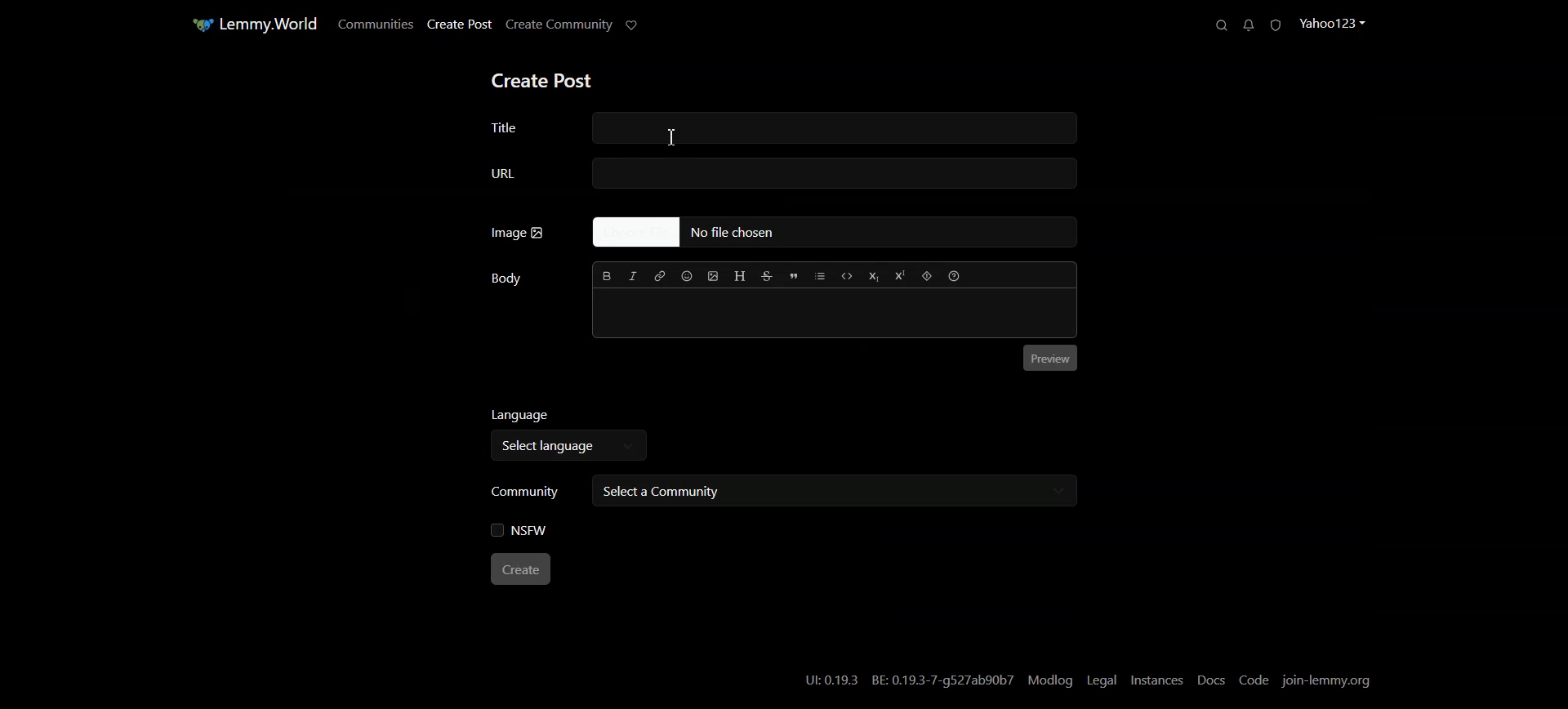  I want to click on Image, so click(518, 233).